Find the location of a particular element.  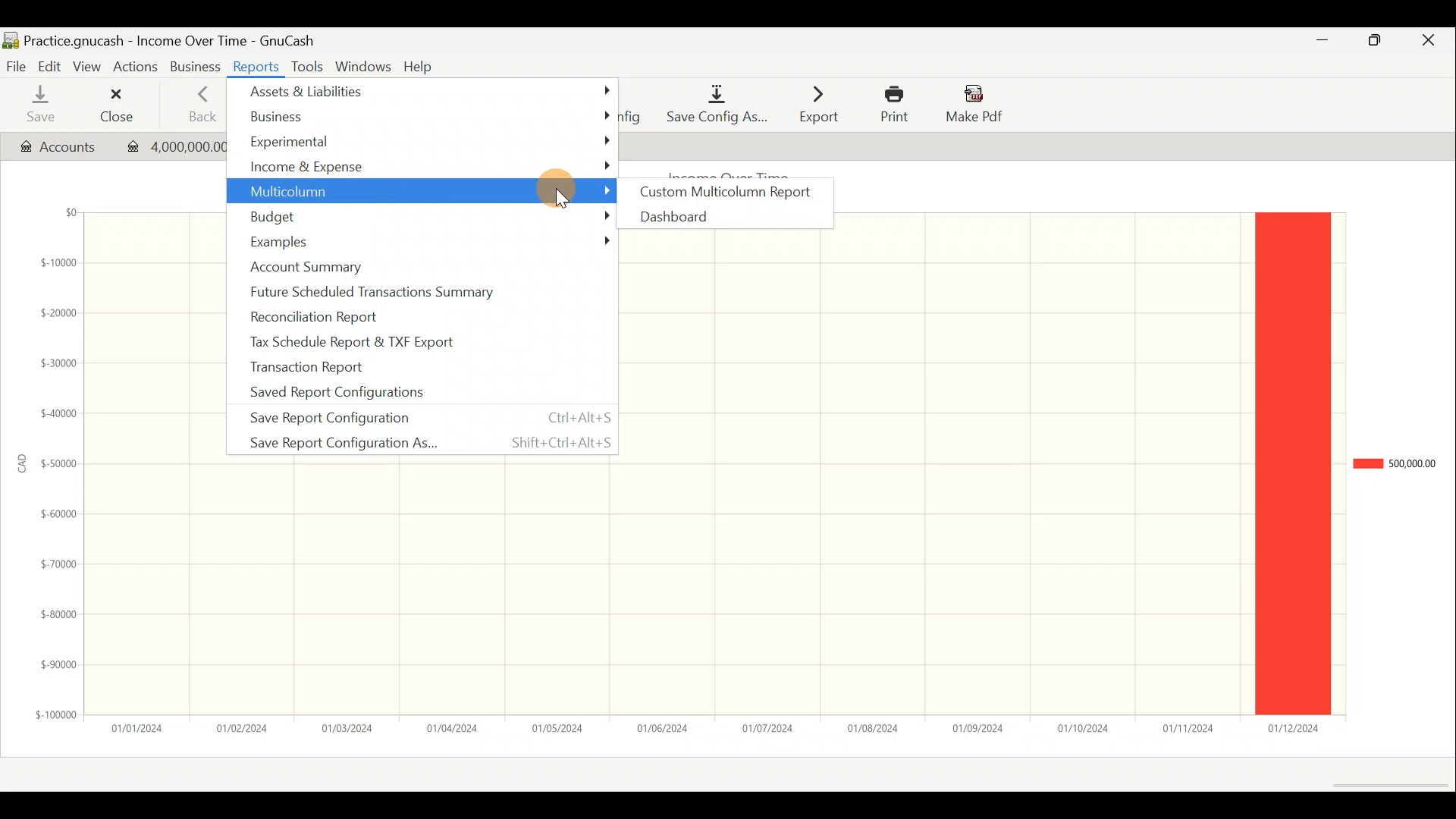

Custom multicolumn report is located at coordinates (721, 192).